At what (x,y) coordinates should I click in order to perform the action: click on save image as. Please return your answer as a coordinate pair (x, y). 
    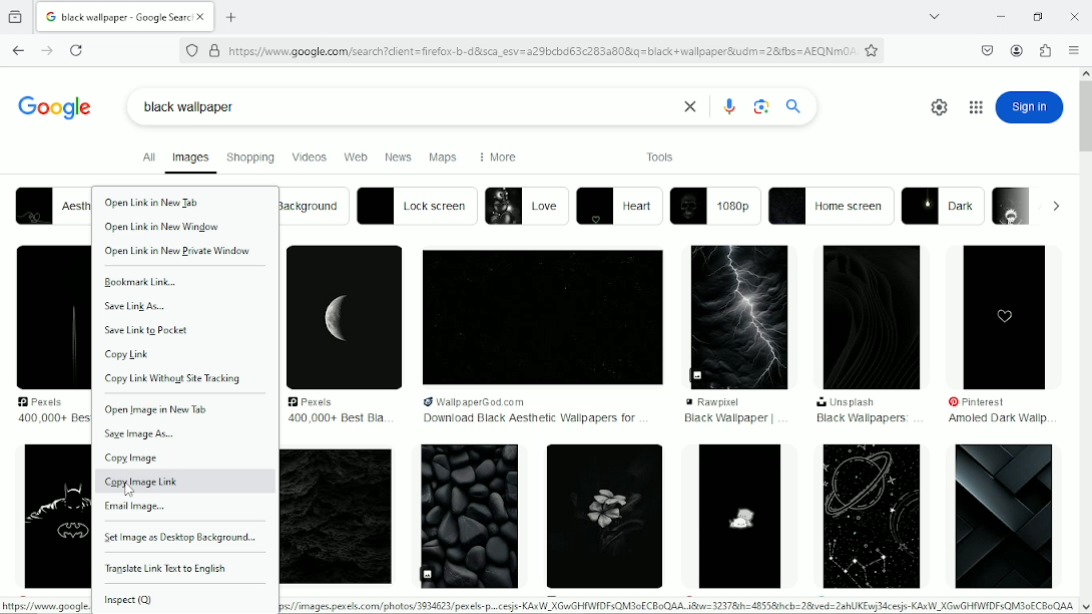
    Looking at the image, I should click on (140, 434).